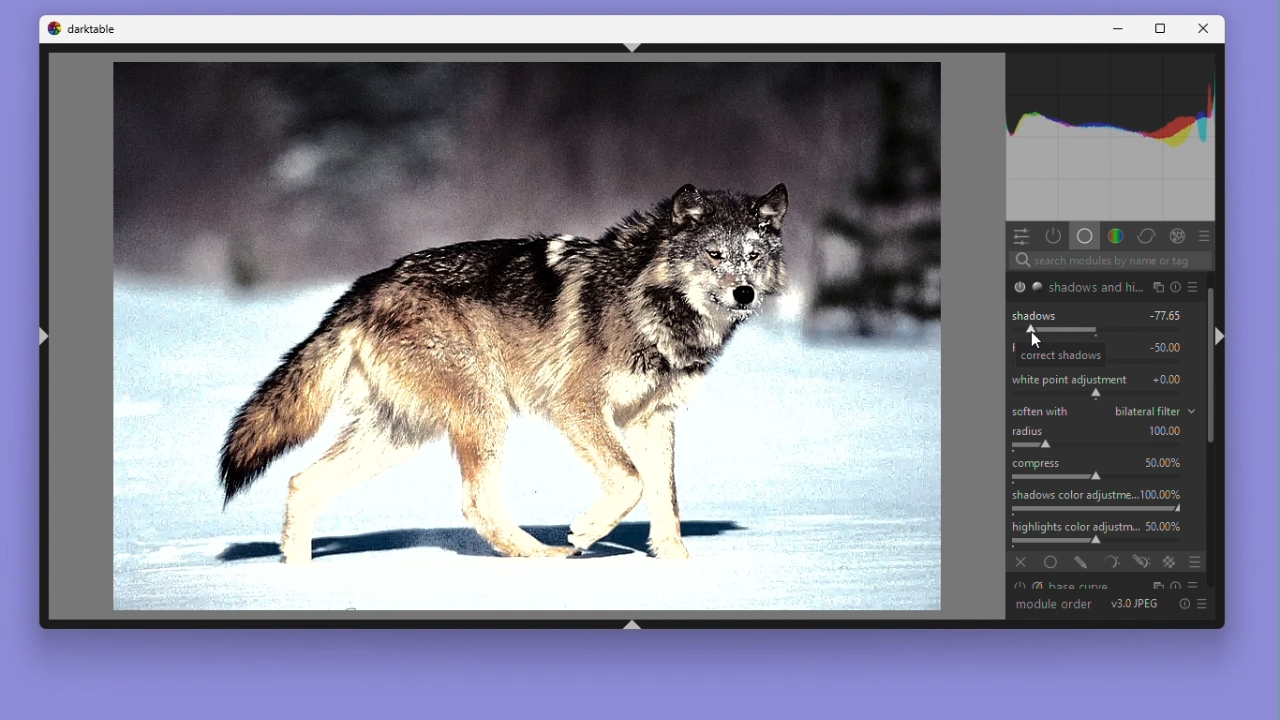  I want to click on -50.00, so click(1165, 347).